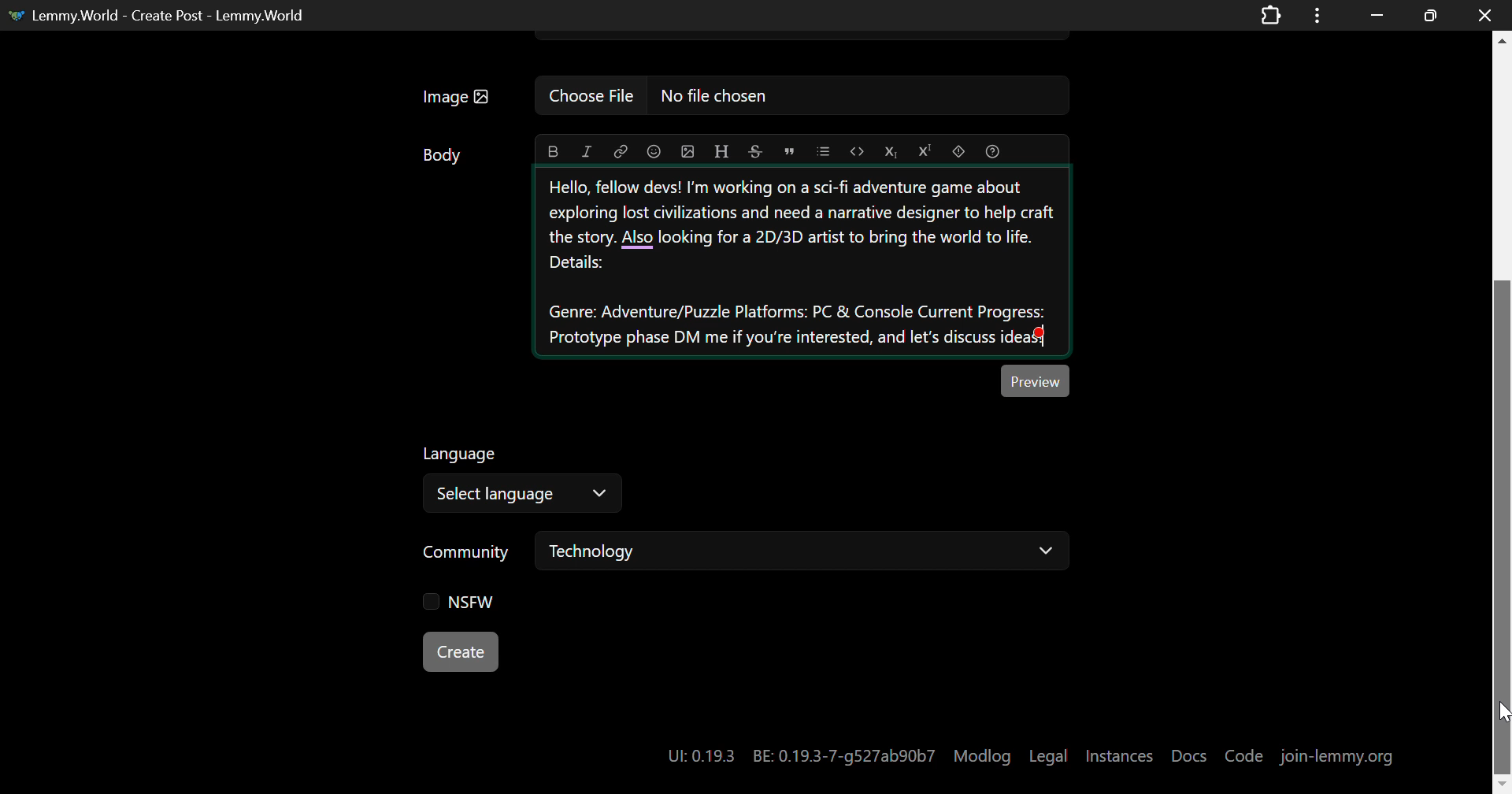 The image size is (1512, 794). Describe the element at coordinates (1337, 755) in the screenshot. I see `join-lemmy.org` at that location.